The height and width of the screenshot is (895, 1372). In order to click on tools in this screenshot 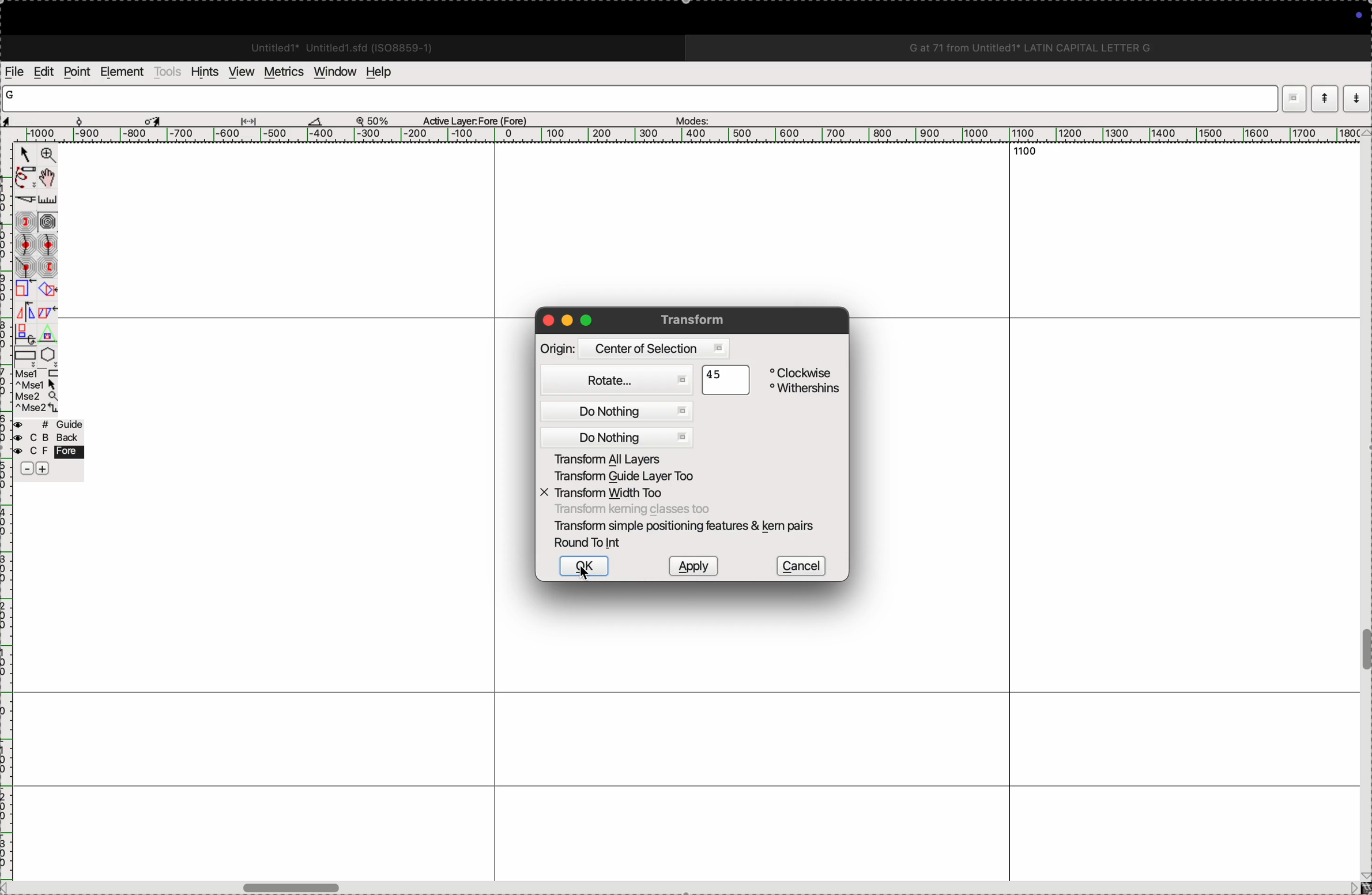, I will do `click(169, 74)`.